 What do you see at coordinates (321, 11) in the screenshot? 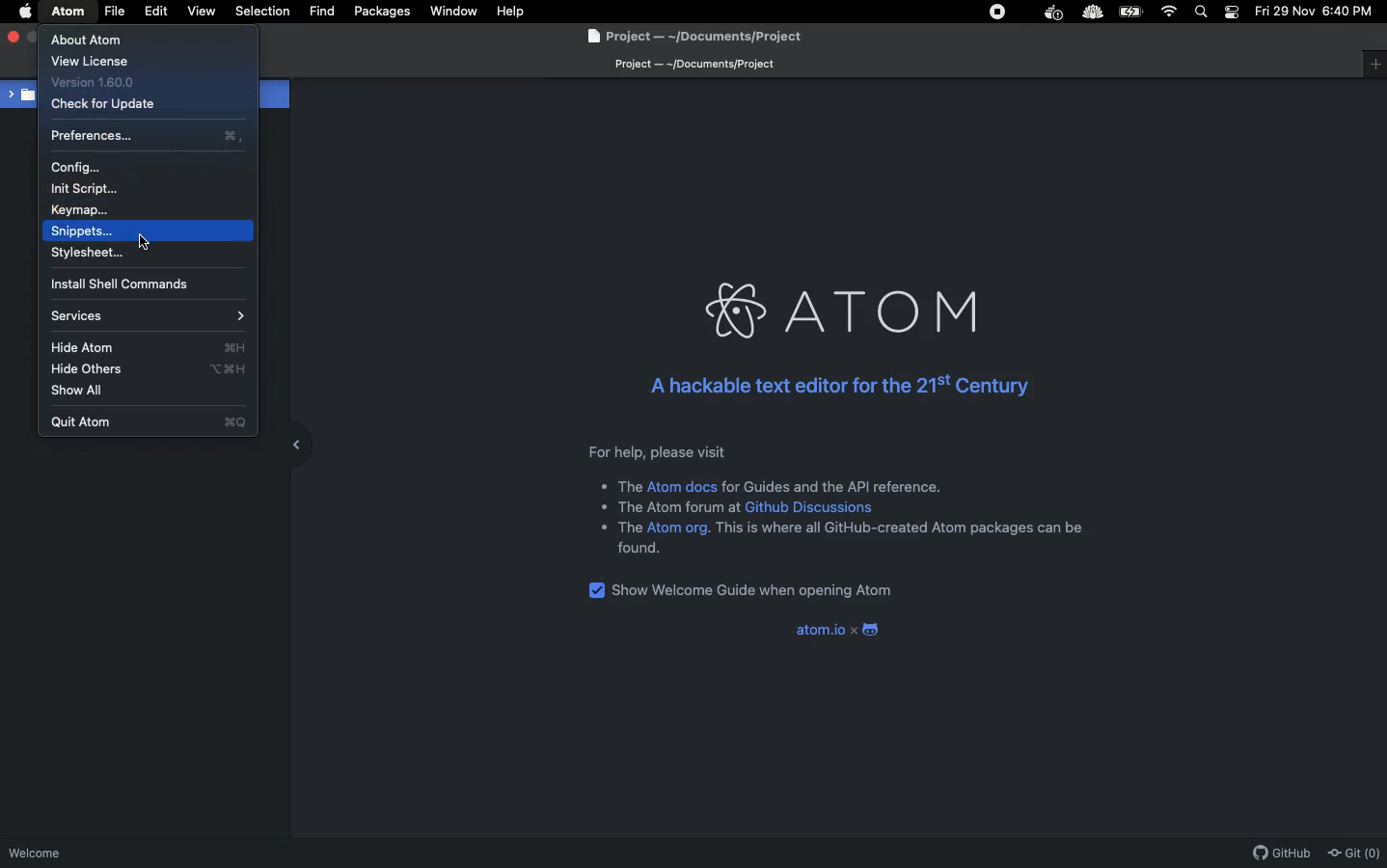
I see `fIND ` at bounding box center [321, 11].